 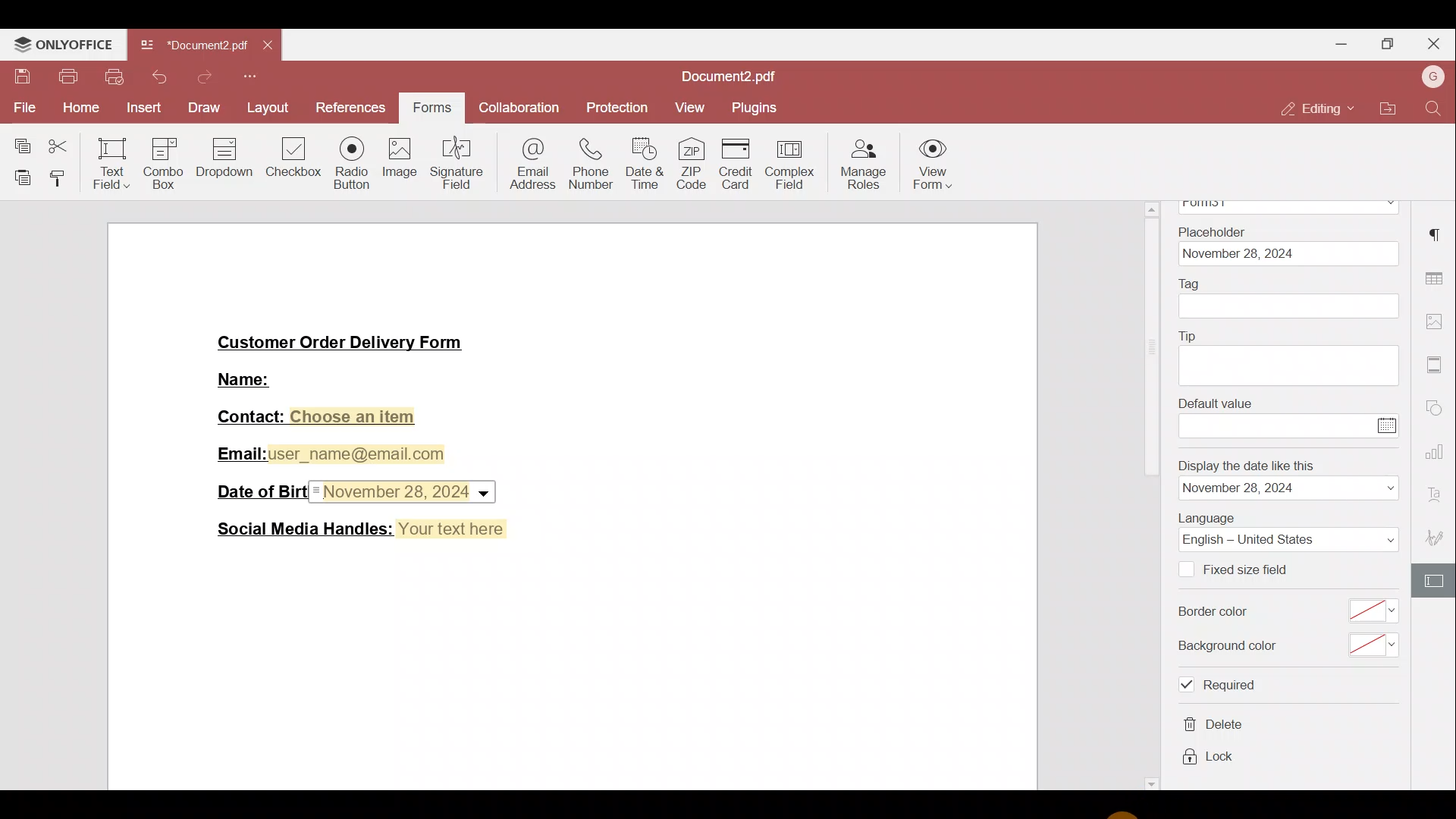 What do you see at coordinates (110, 163) in the screenshot?
I see `Text field` at bounding box center [110, 163].